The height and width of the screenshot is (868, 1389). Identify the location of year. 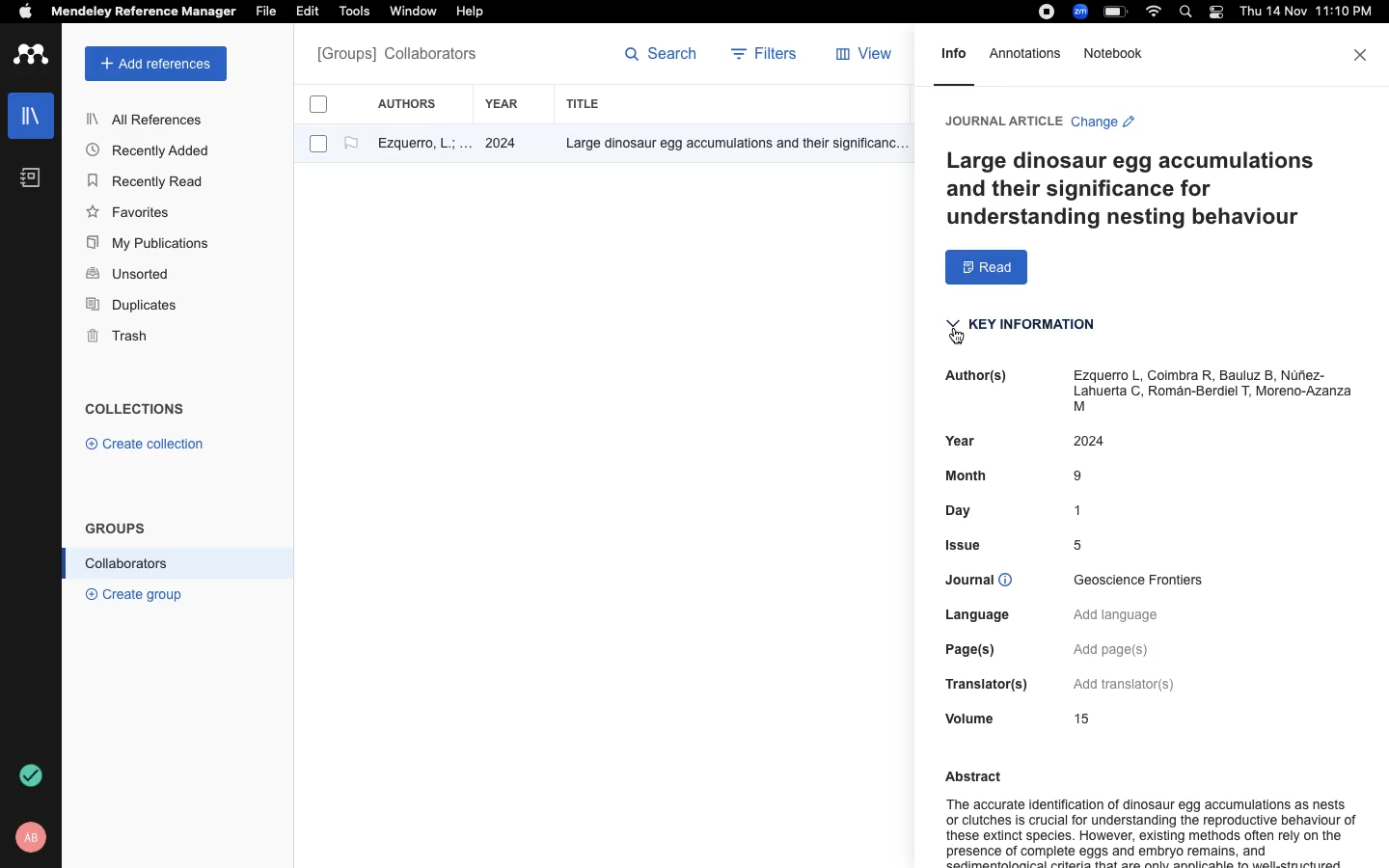
(512, 104).